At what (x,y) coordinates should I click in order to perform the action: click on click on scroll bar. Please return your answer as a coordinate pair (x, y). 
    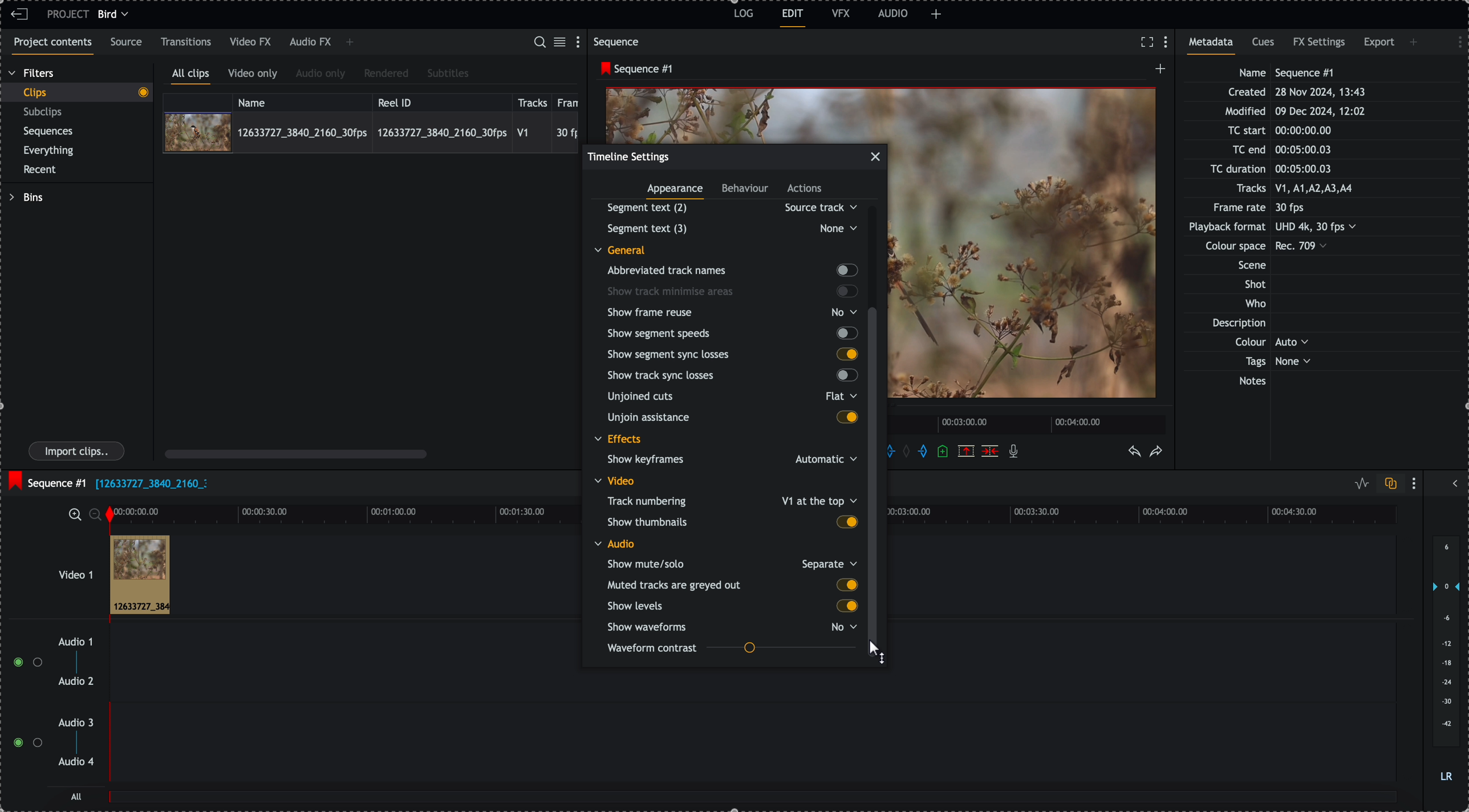
    Looking at the image, I should click on (876, 383).